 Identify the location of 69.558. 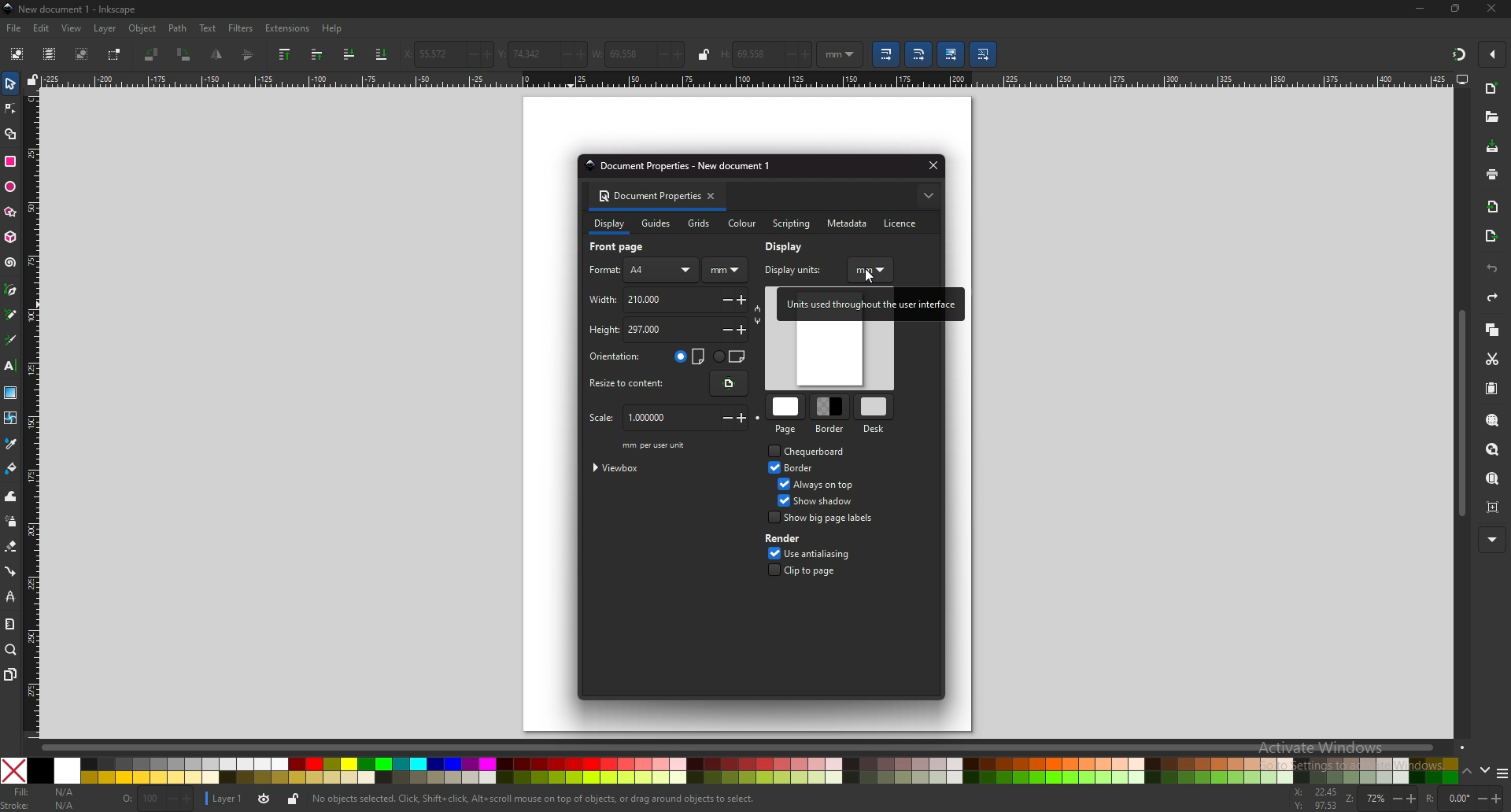
(755, 55).